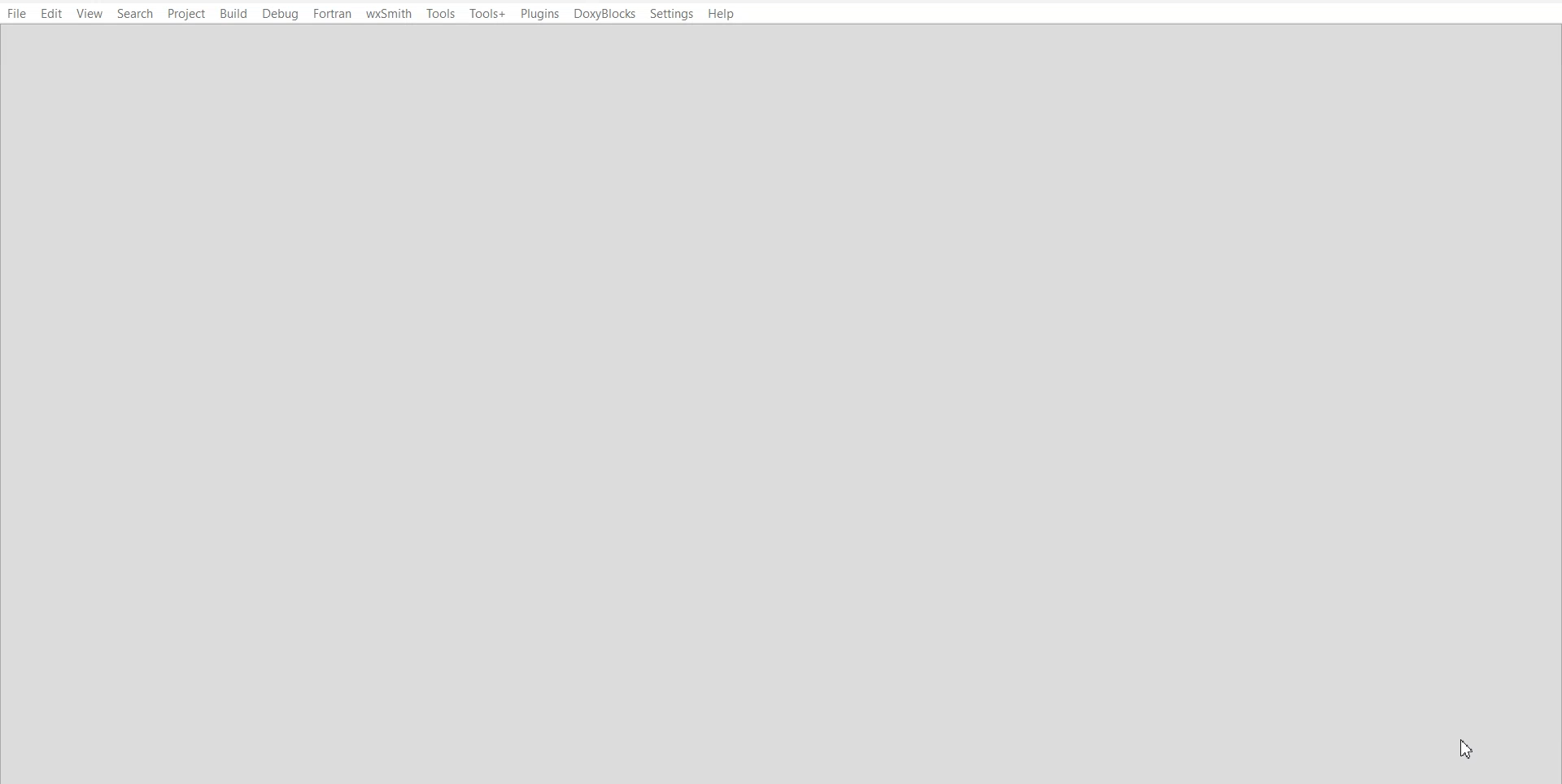  I want to click on Plugins, so click(539, 14).